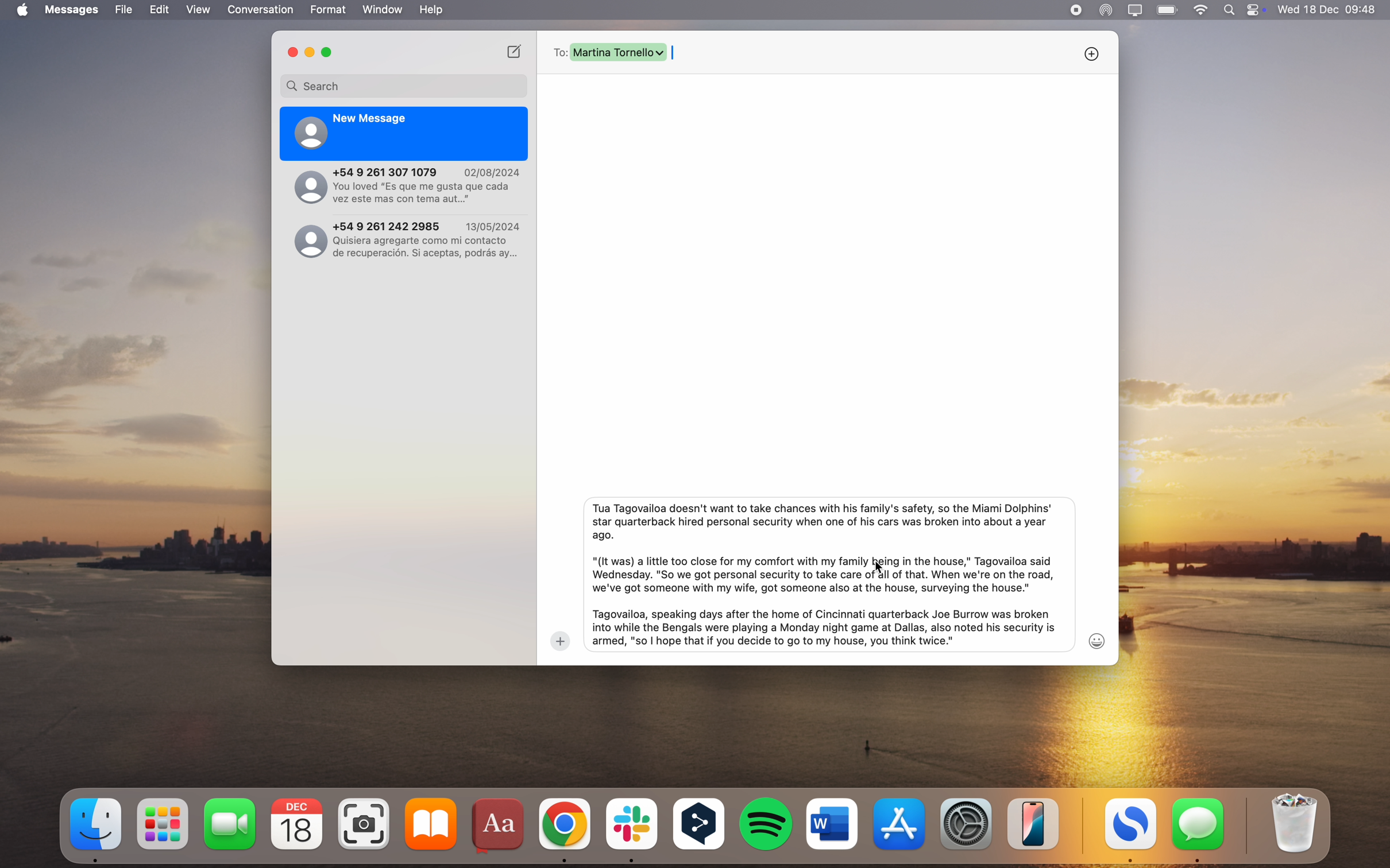 This screenshot has height=868, width=1390. I want to click on settings, so click(968, 822).